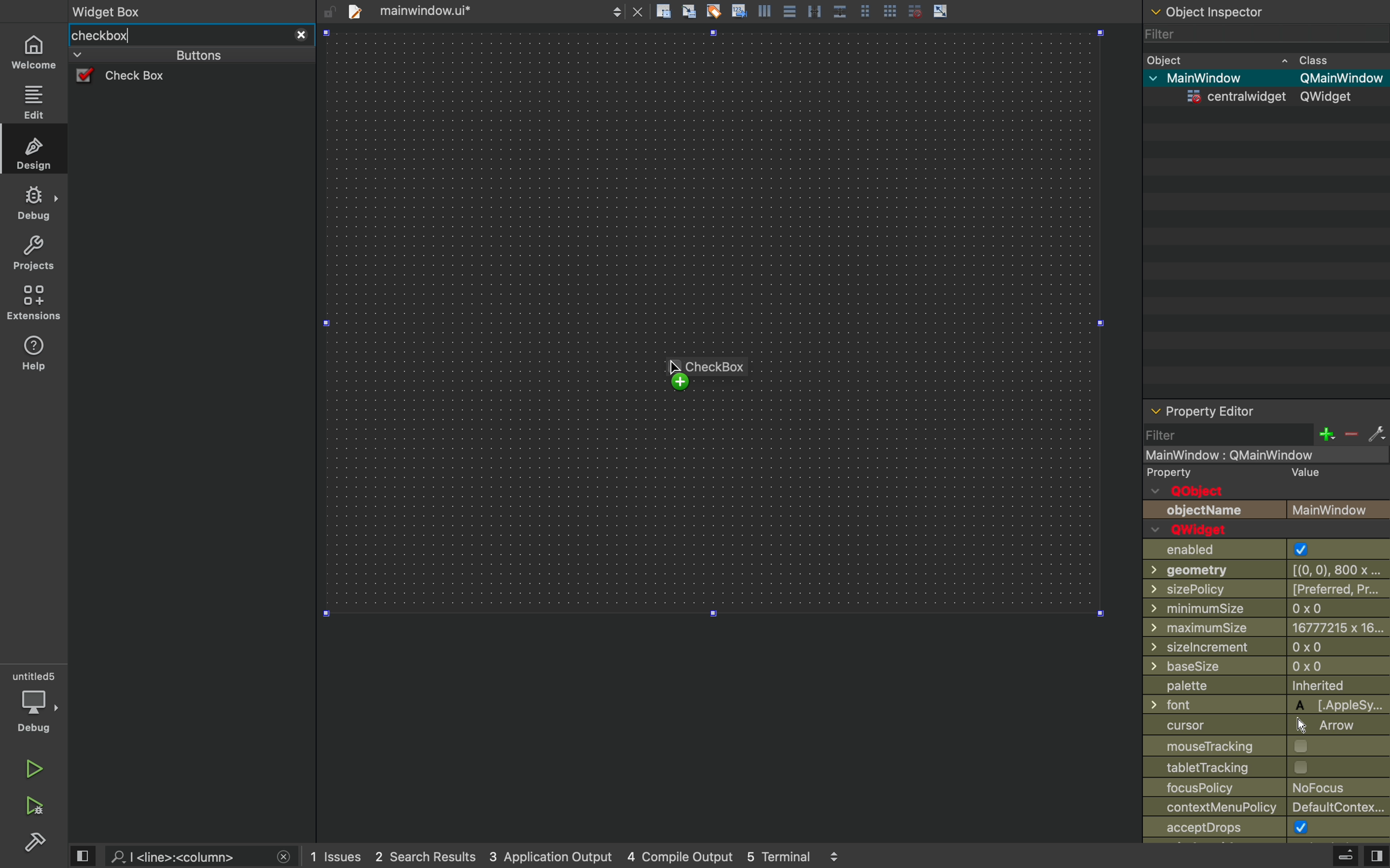  I want to click on environment, so click(32, 303).